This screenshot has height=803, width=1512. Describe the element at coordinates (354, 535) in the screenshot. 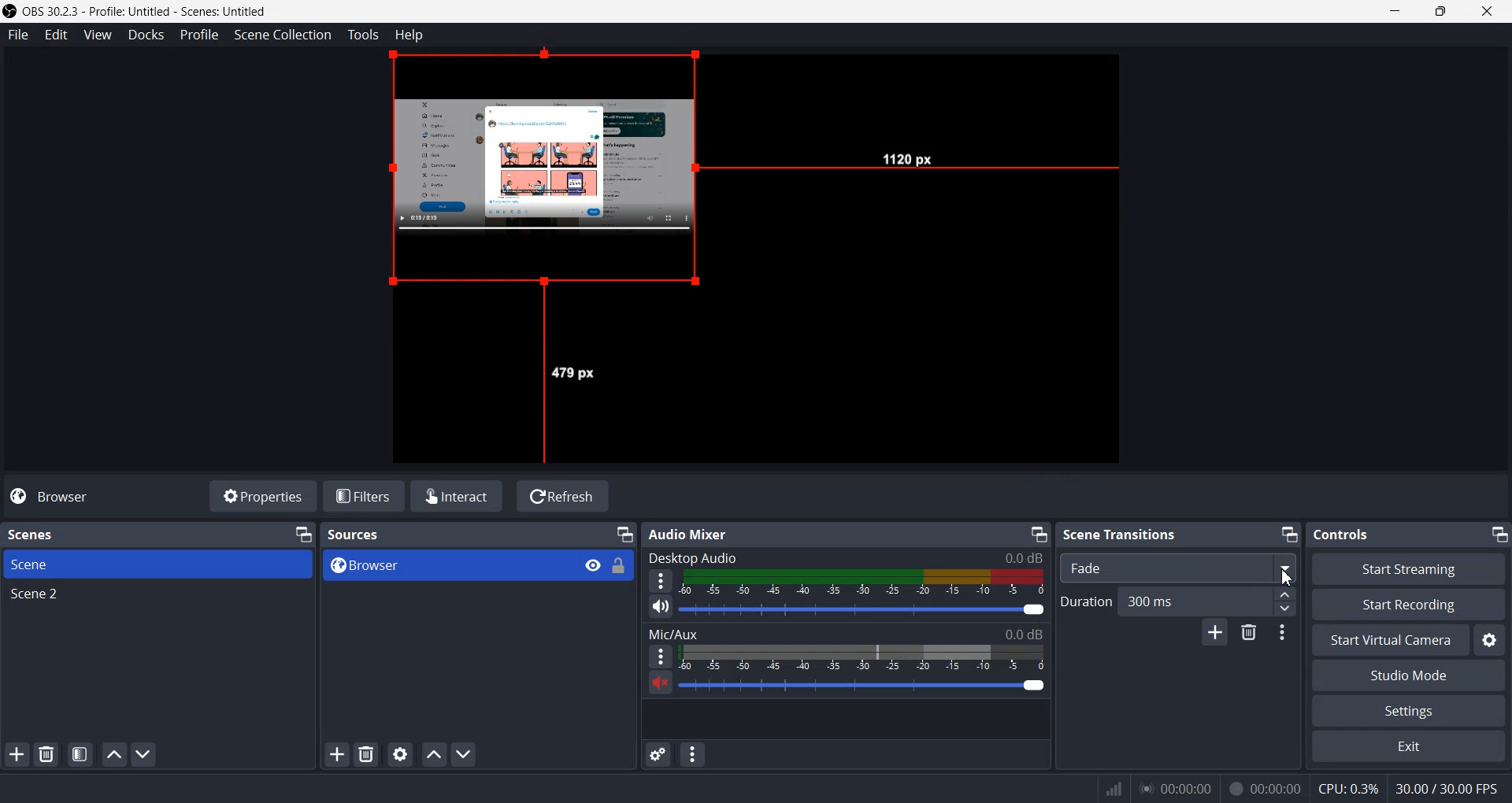

I see `Text` at that location.